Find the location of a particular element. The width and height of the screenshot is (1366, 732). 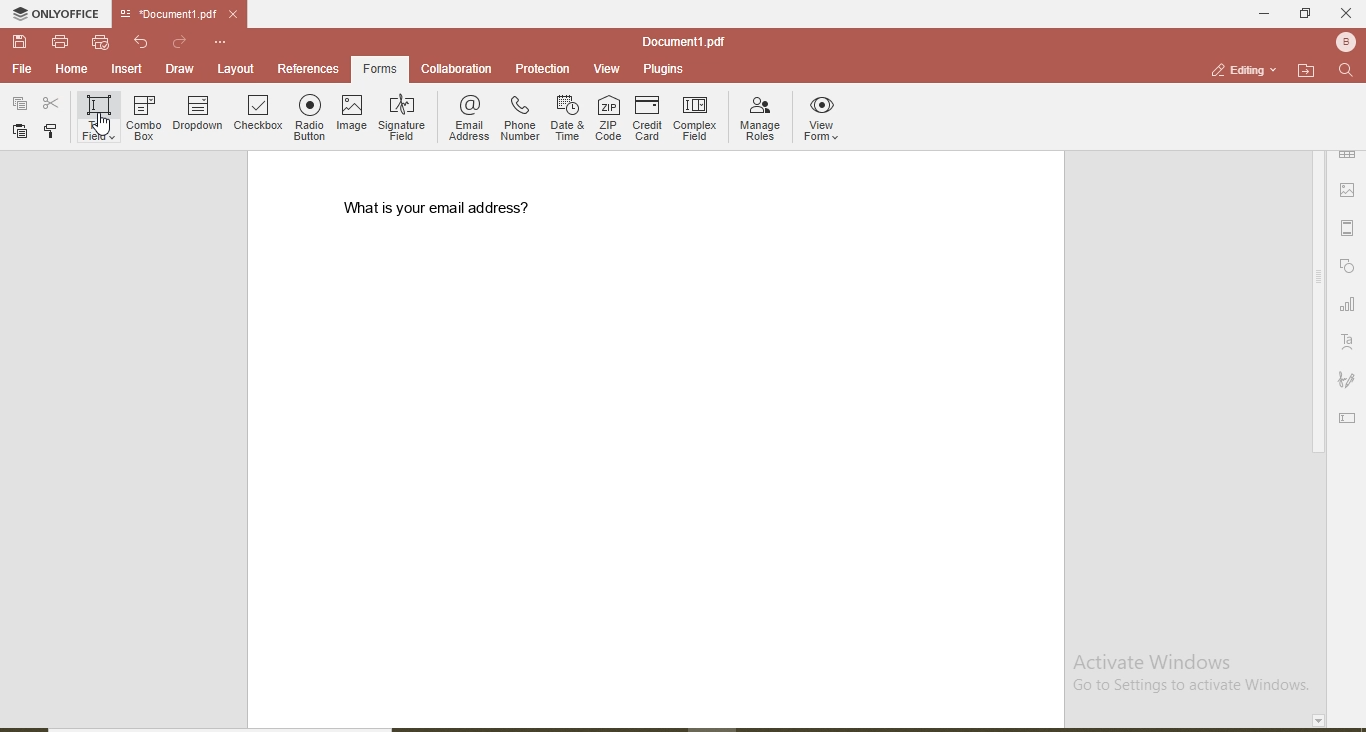

undo is located at coordinates (144, 42).